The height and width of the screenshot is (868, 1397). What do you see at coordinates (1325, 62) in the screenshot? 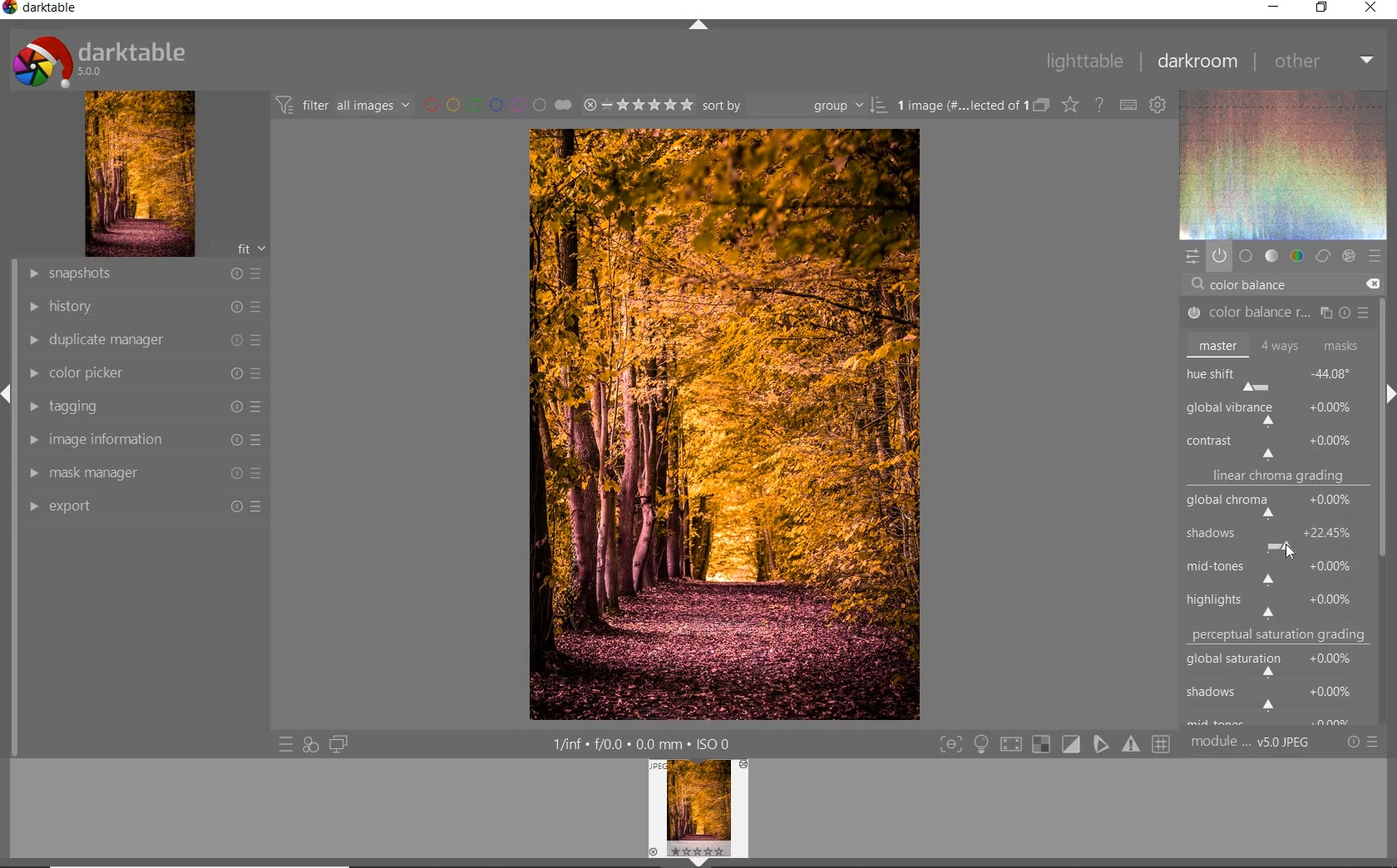
I see `other` at bounding box center [1325, 62].